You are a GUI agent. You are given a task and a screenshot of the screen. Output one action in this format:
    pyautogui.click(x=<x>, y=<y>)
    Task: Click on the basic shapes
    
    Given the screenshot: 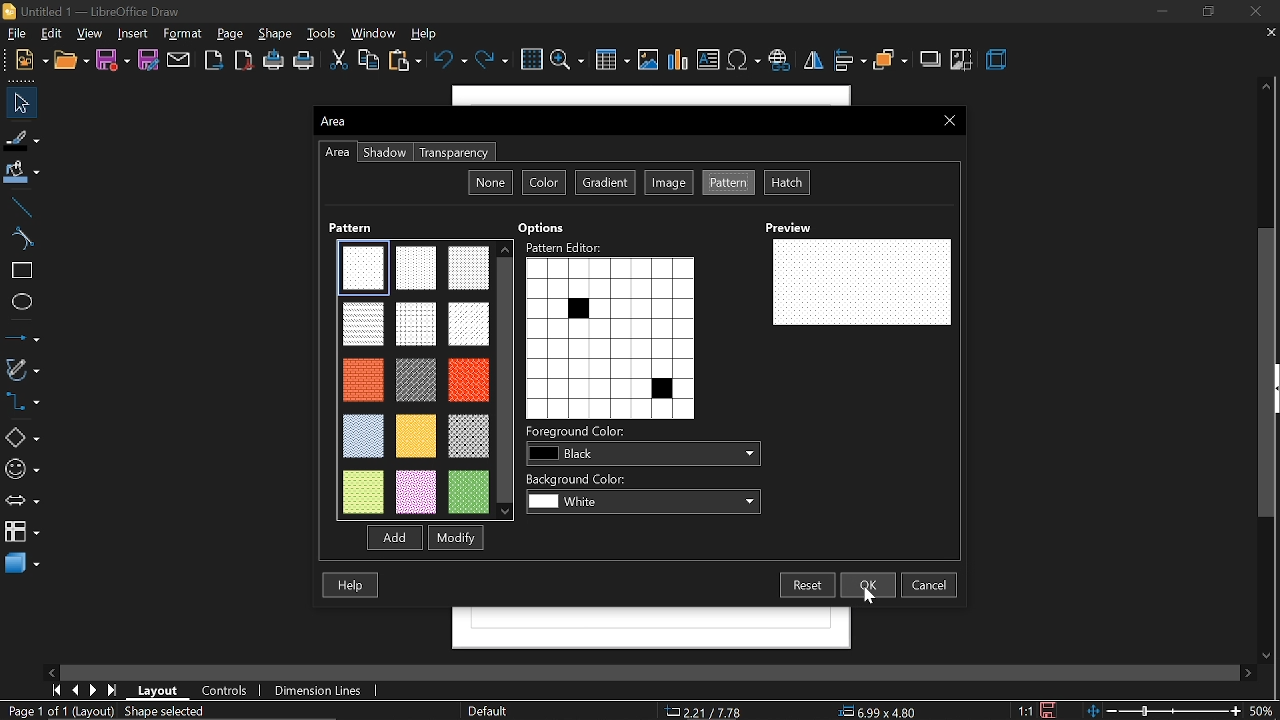 What is the action you would take?
    pyautogui.click(x=21, y=438)
    